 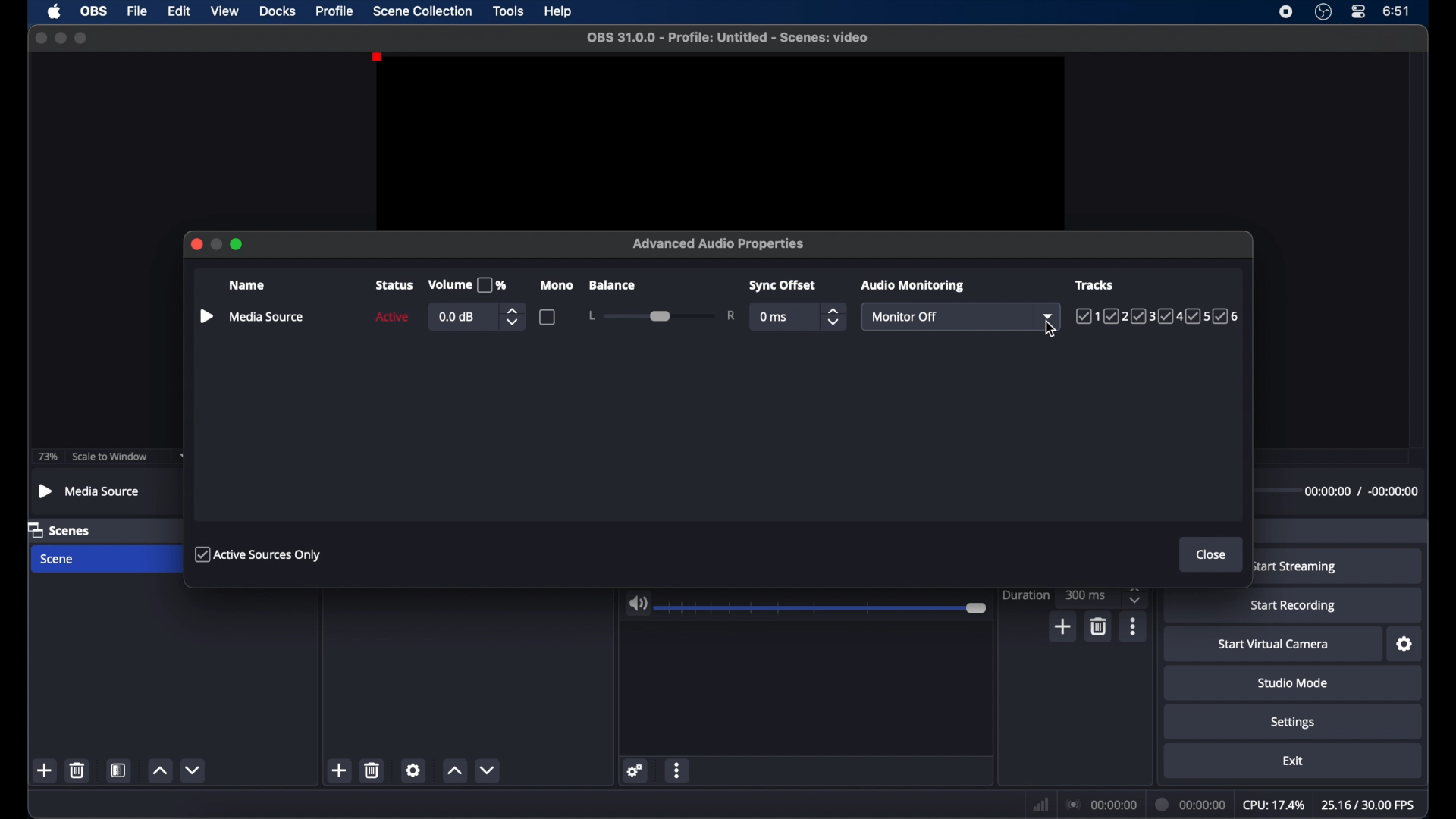 I want to click on obs, so click(x=96, y=12).